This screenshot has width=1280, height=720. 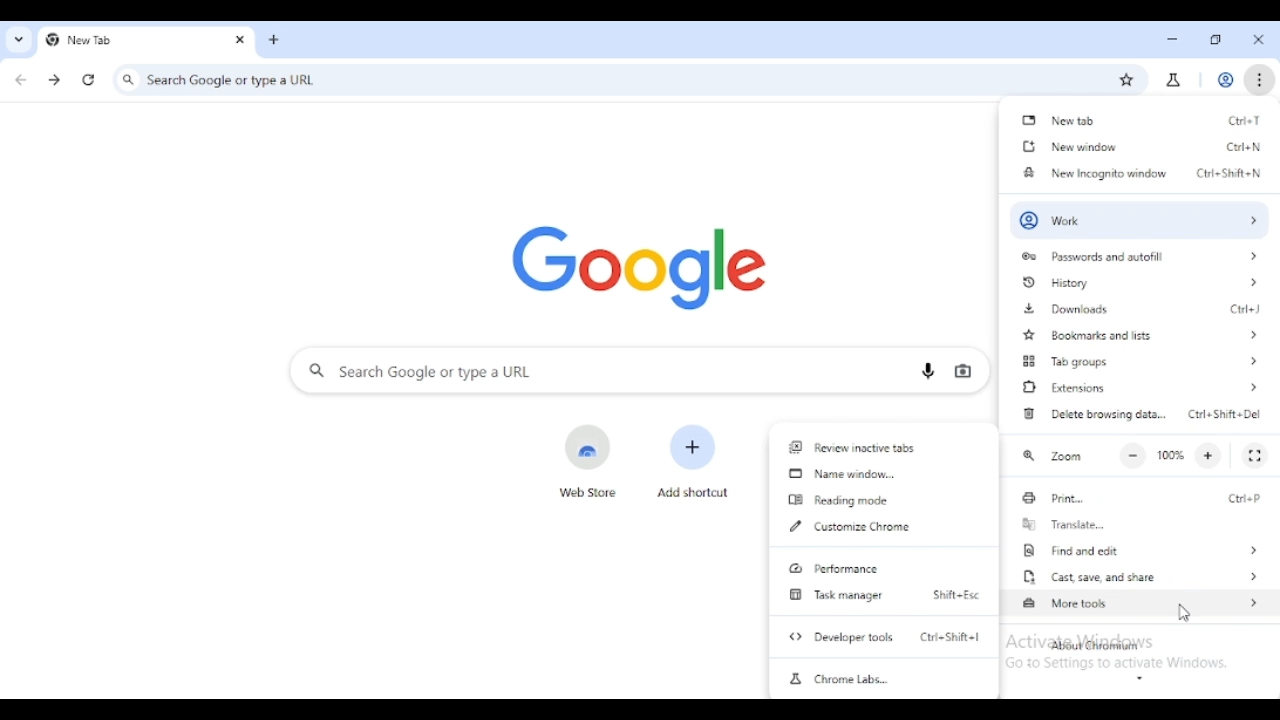 I want to click on shortcut for developer tools, so click(x=950, y=636).